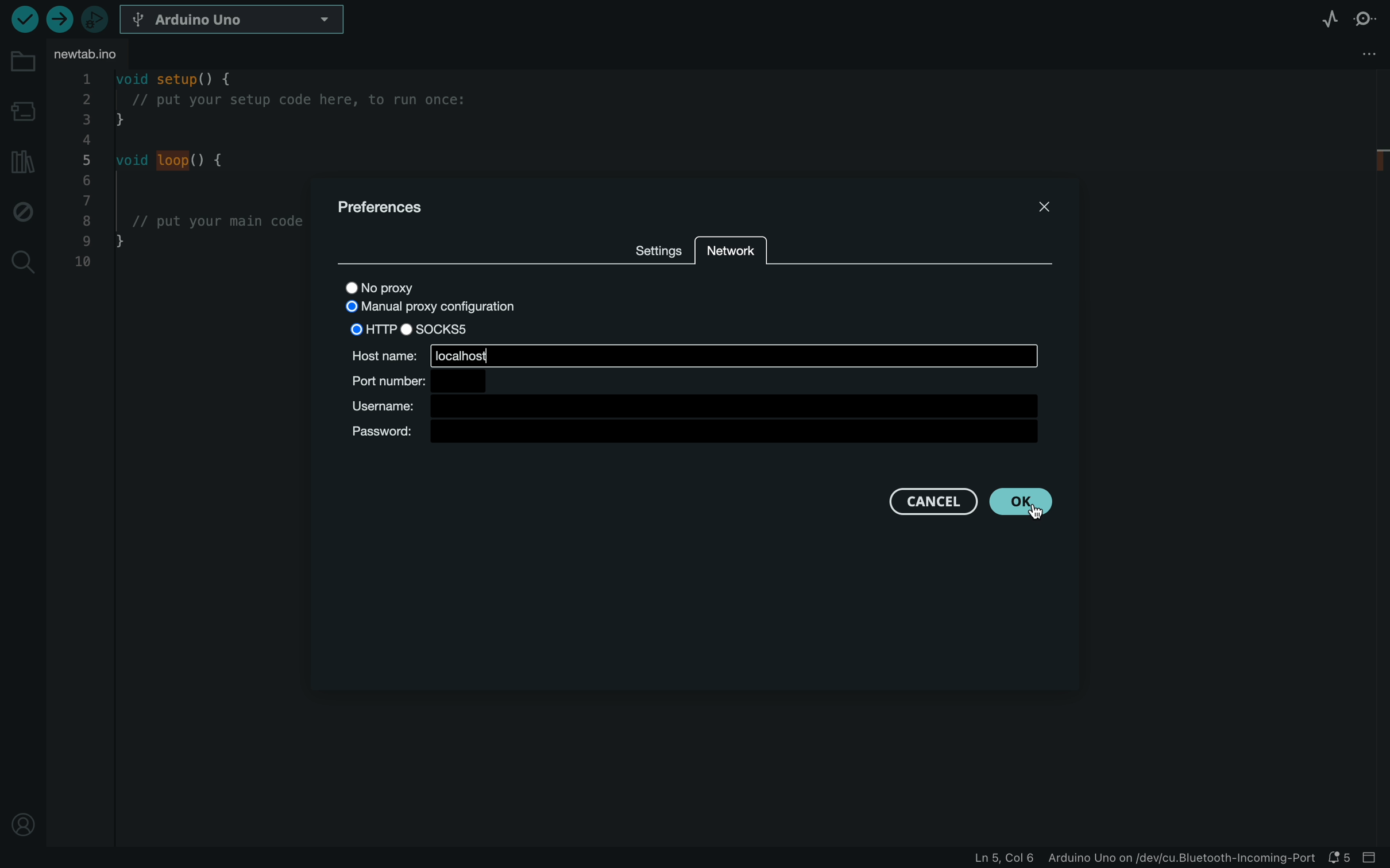 The height and width of the screenshot is (868, 1390). Describe the element at coordinates (437, 380) in the screenshot. I see `port number` at that location.